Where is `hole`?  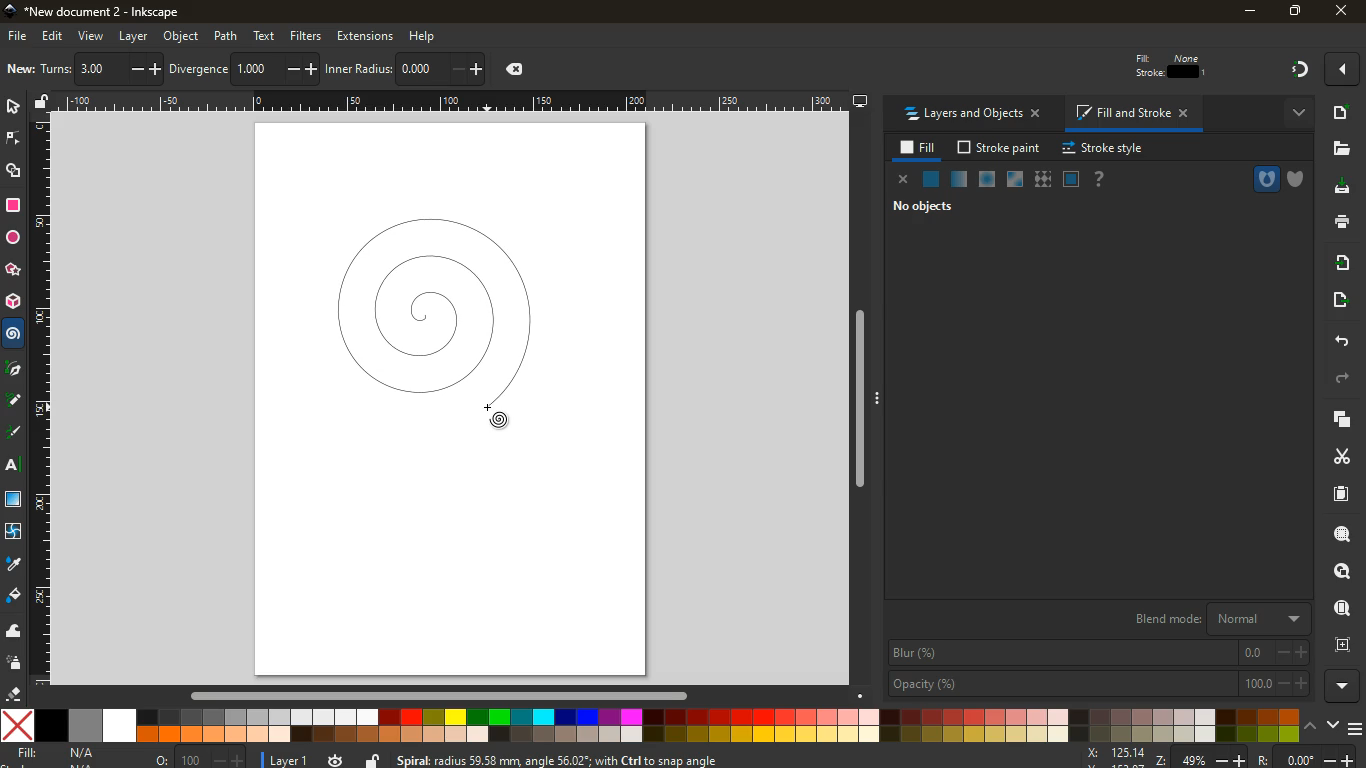
hole is located at coordinates (1257, 179).